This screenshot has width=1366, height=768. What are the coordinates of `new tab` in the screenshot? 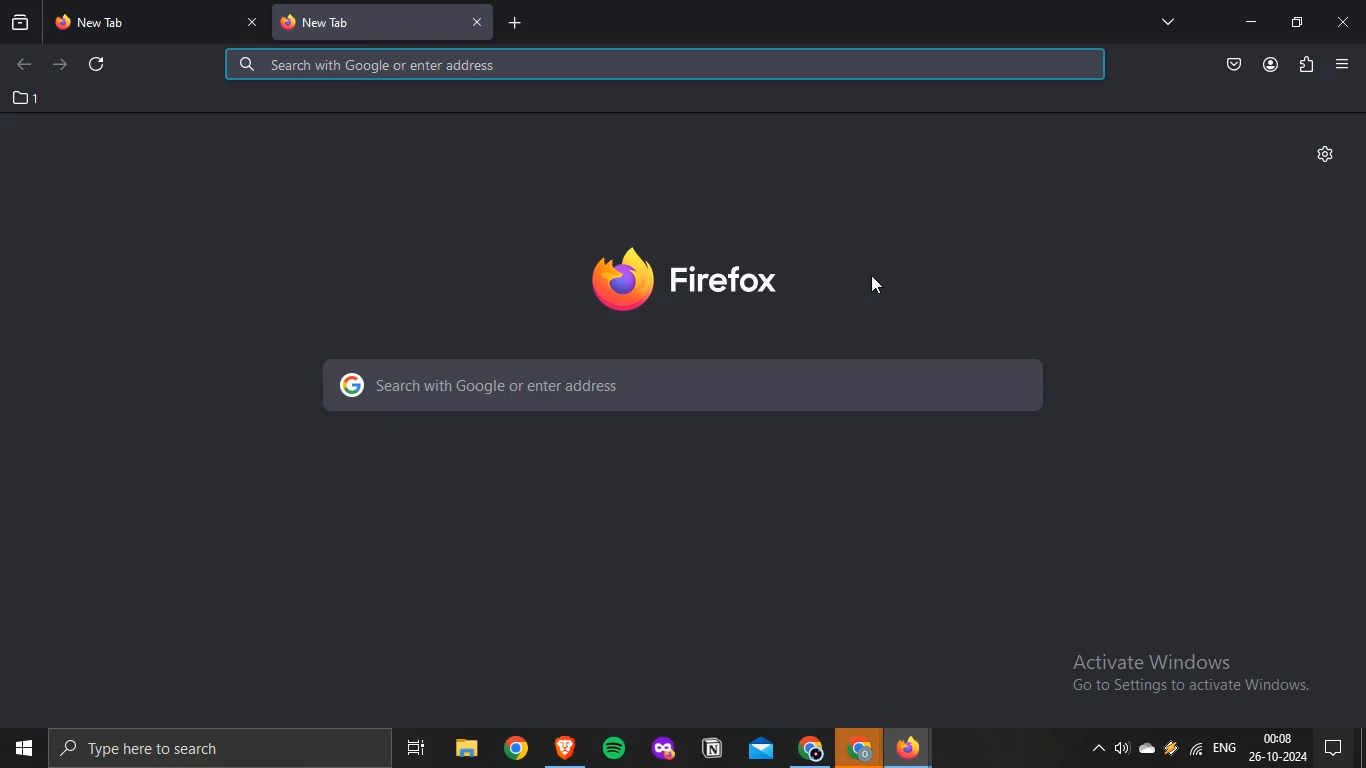 It's located at (367, 22).